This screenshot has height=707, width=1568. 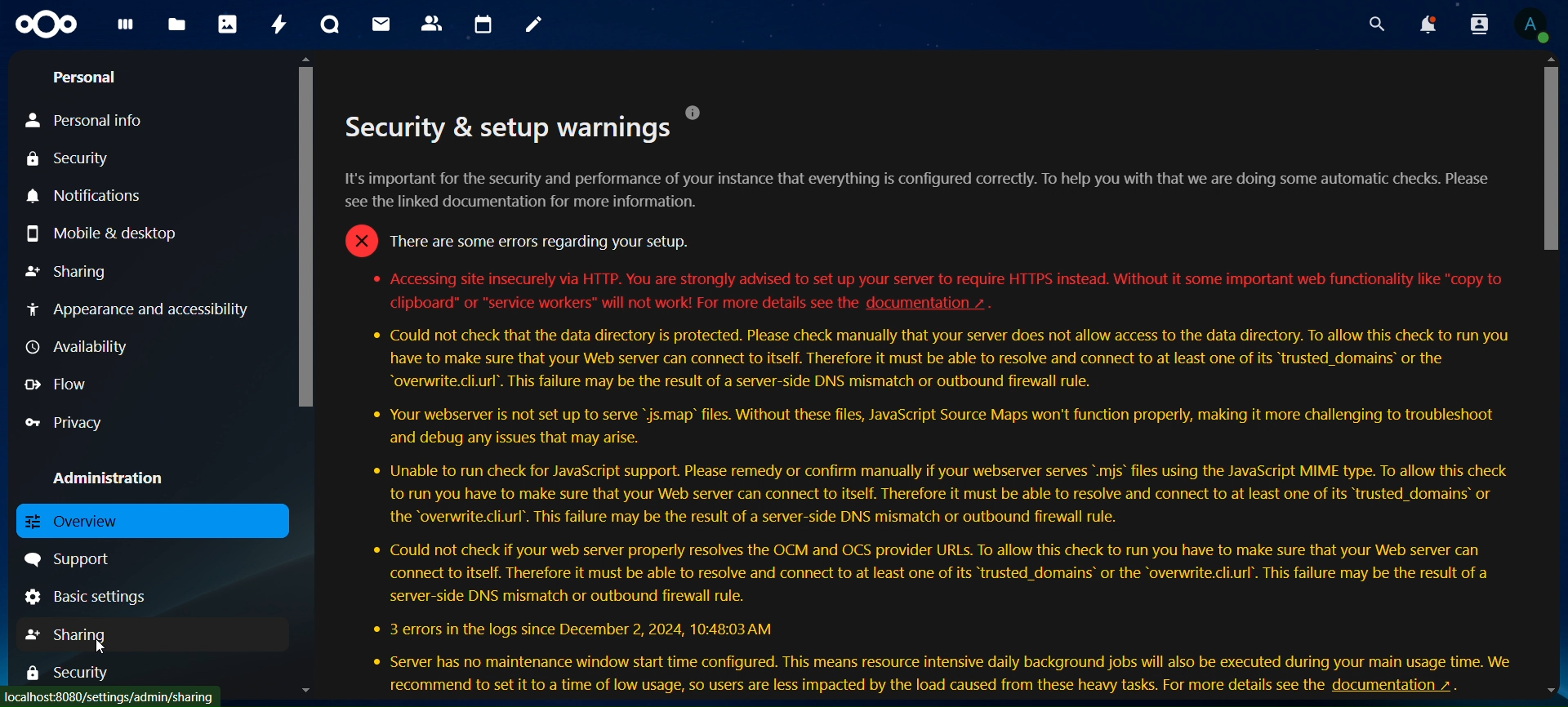 I want to click on files, so click(x=176, y=26).